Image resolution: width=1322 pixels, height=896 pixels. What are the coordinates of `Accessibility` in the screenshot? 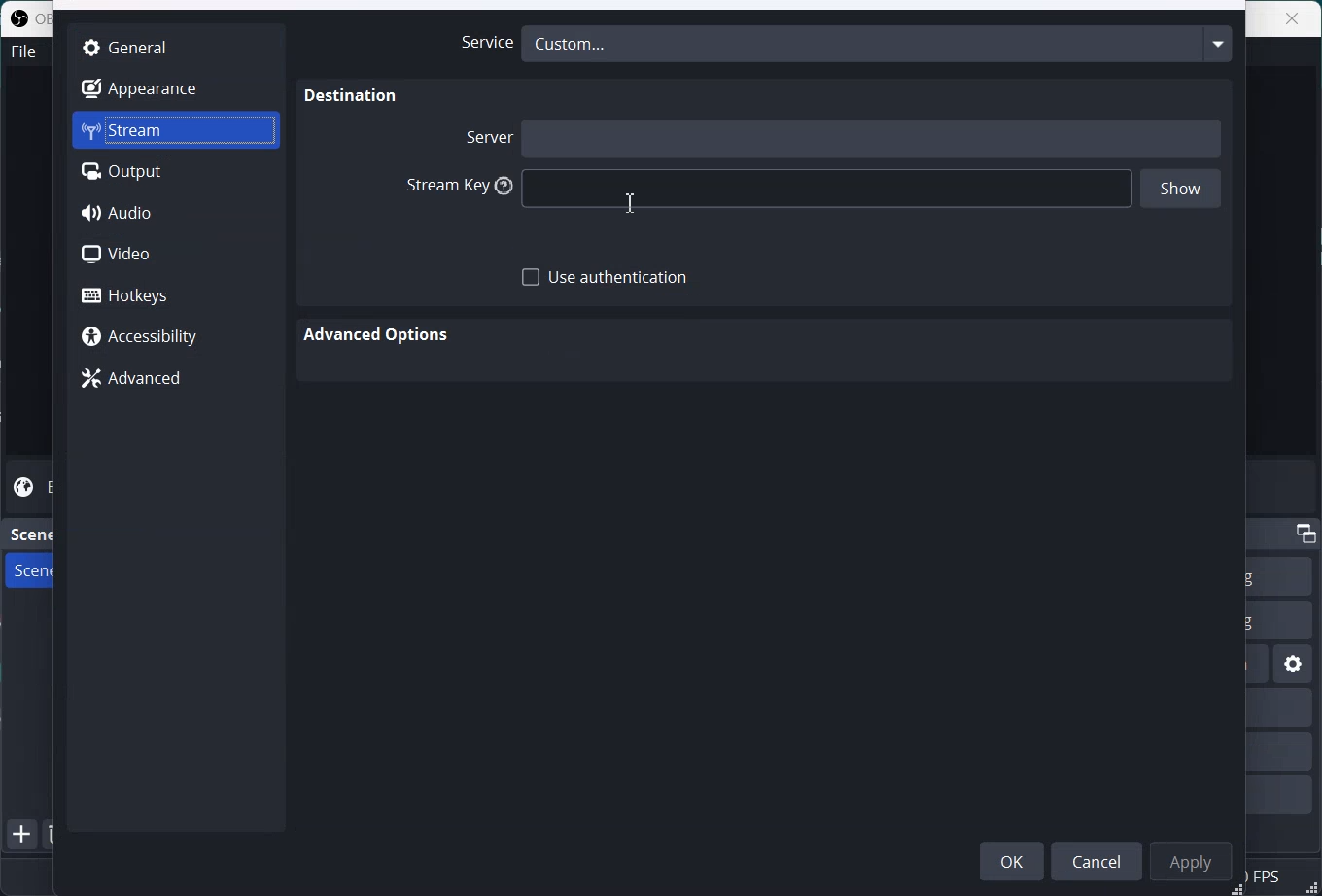 It's located at (175, 338).